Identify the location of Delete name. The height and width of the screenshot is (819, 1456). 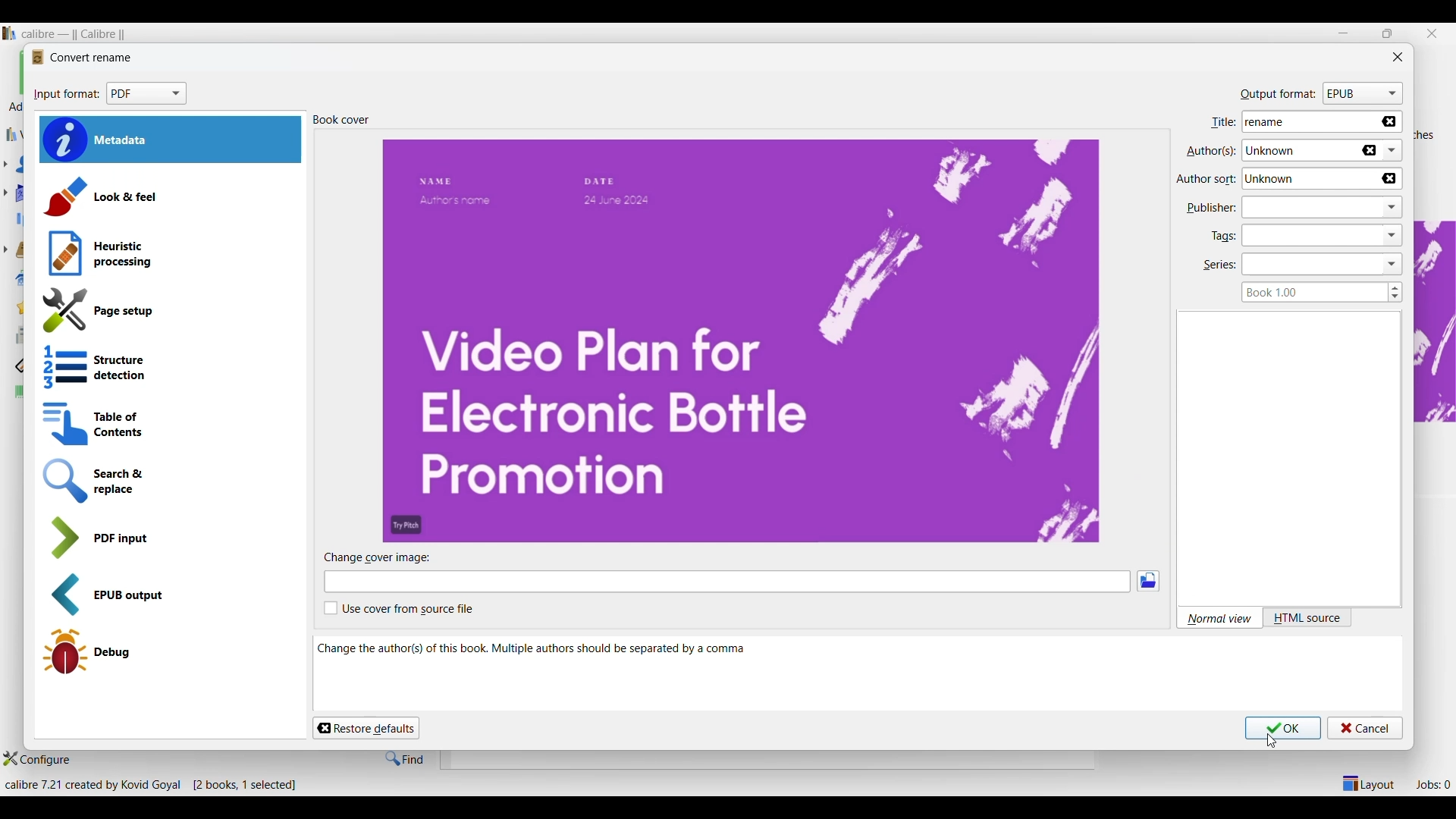
(1389, 179).